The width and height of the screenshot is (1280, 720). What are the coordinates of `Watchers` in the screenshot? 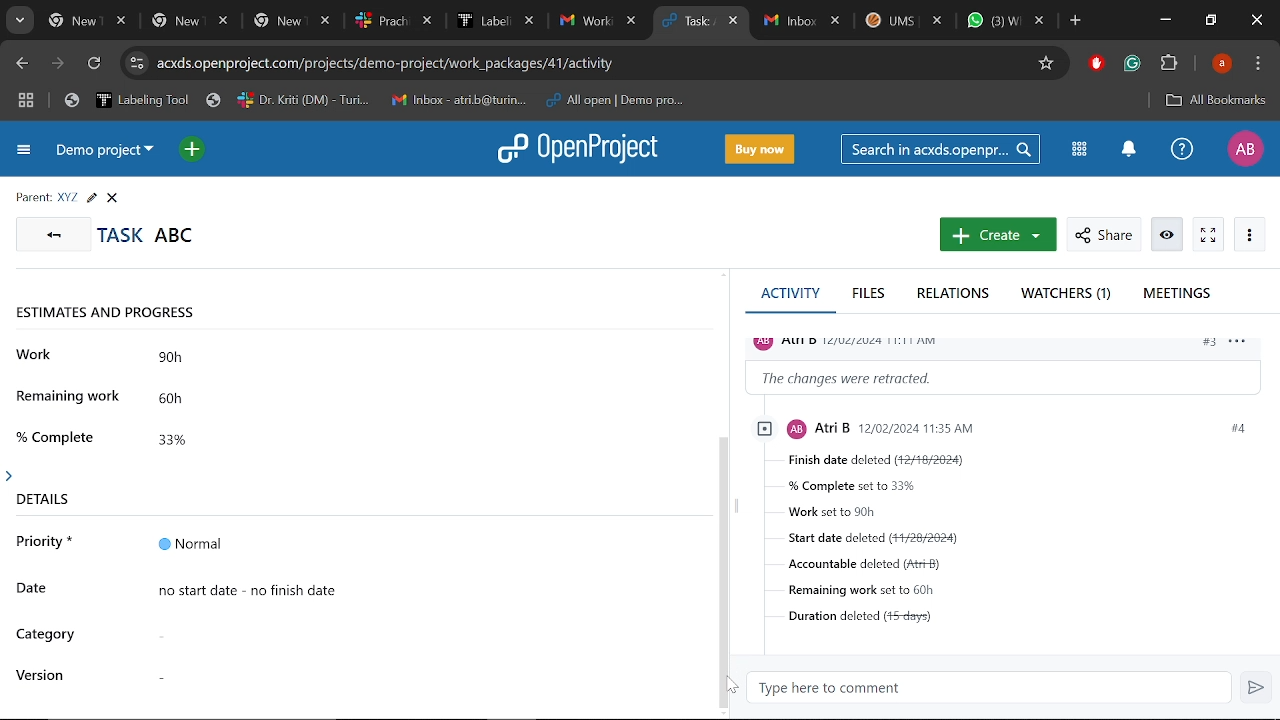 It's located at (1068, 294).